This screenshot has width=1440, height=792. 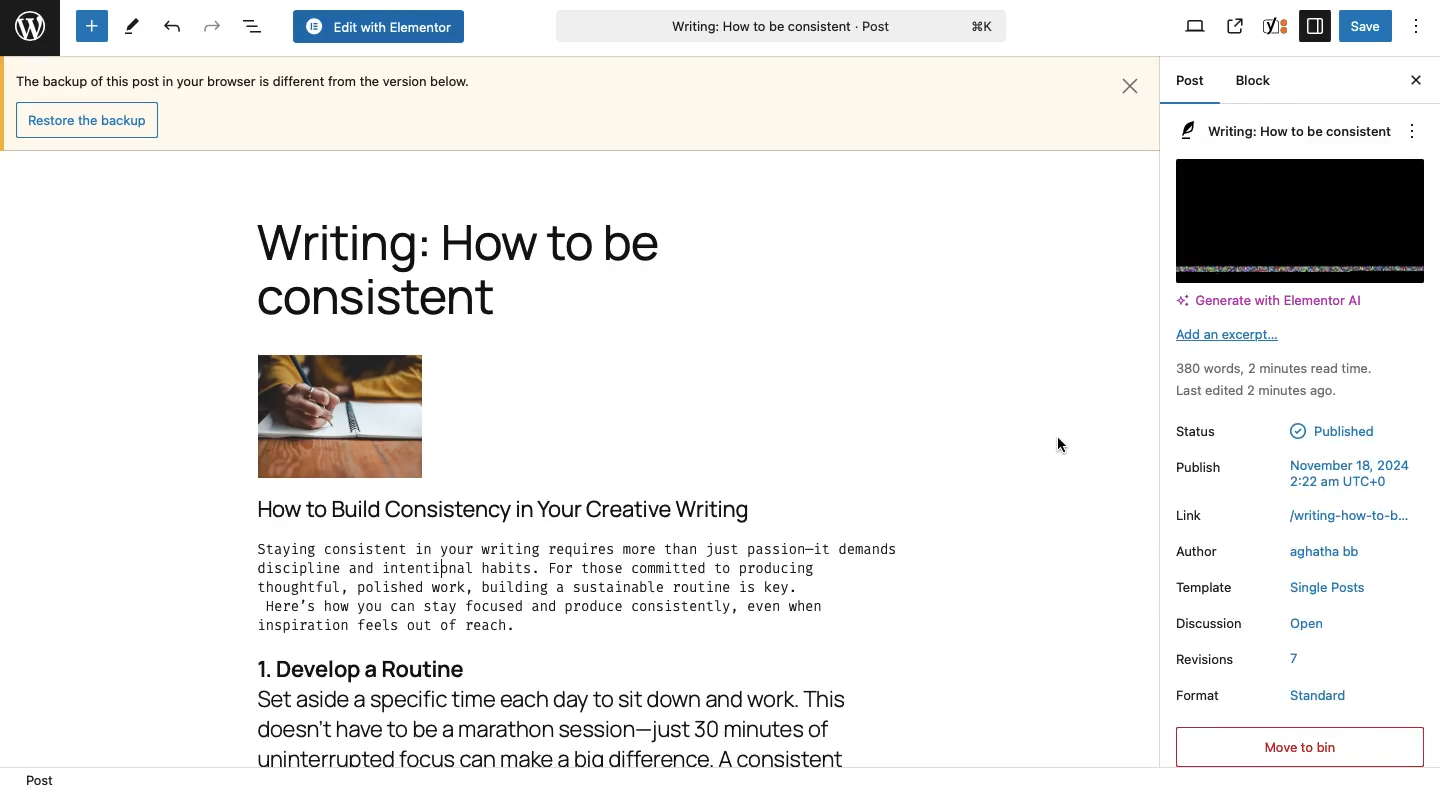 I want to click on View, so click(x=1196, y=28).